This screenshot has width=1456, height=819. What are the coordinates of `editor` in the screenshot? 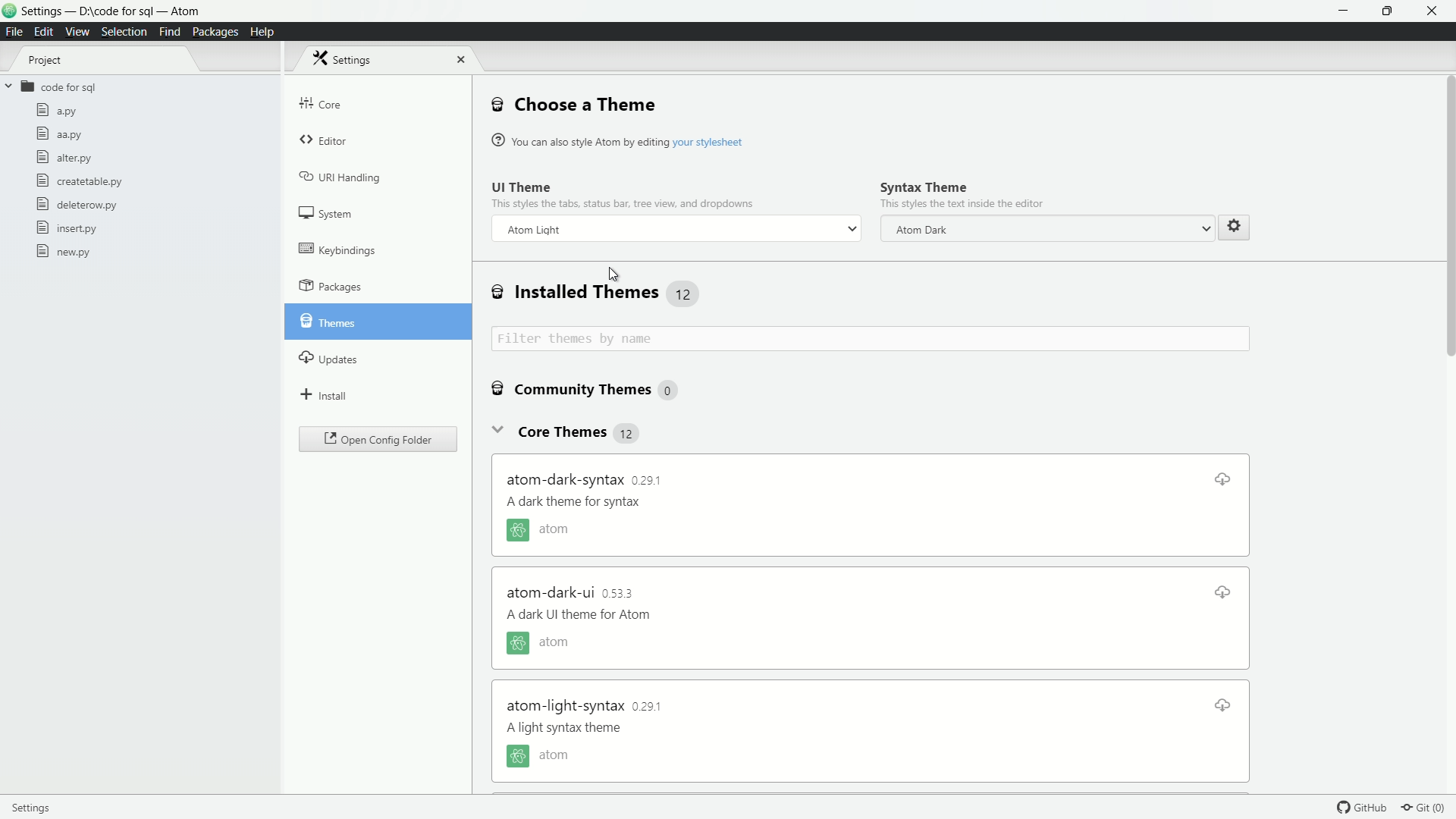 It's located at (324, 142).